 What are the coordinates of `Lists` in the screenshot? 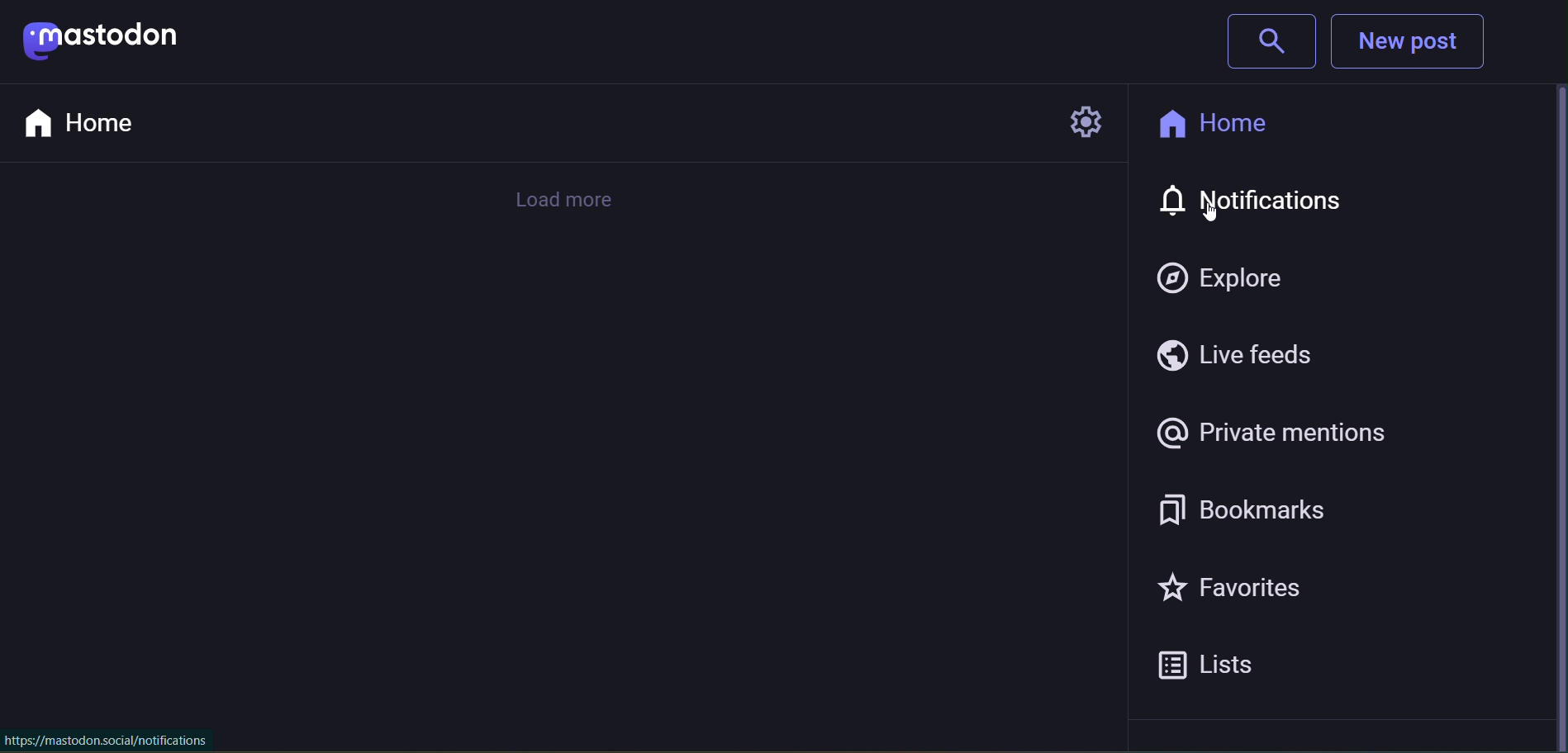 It's located at (1217, 661).